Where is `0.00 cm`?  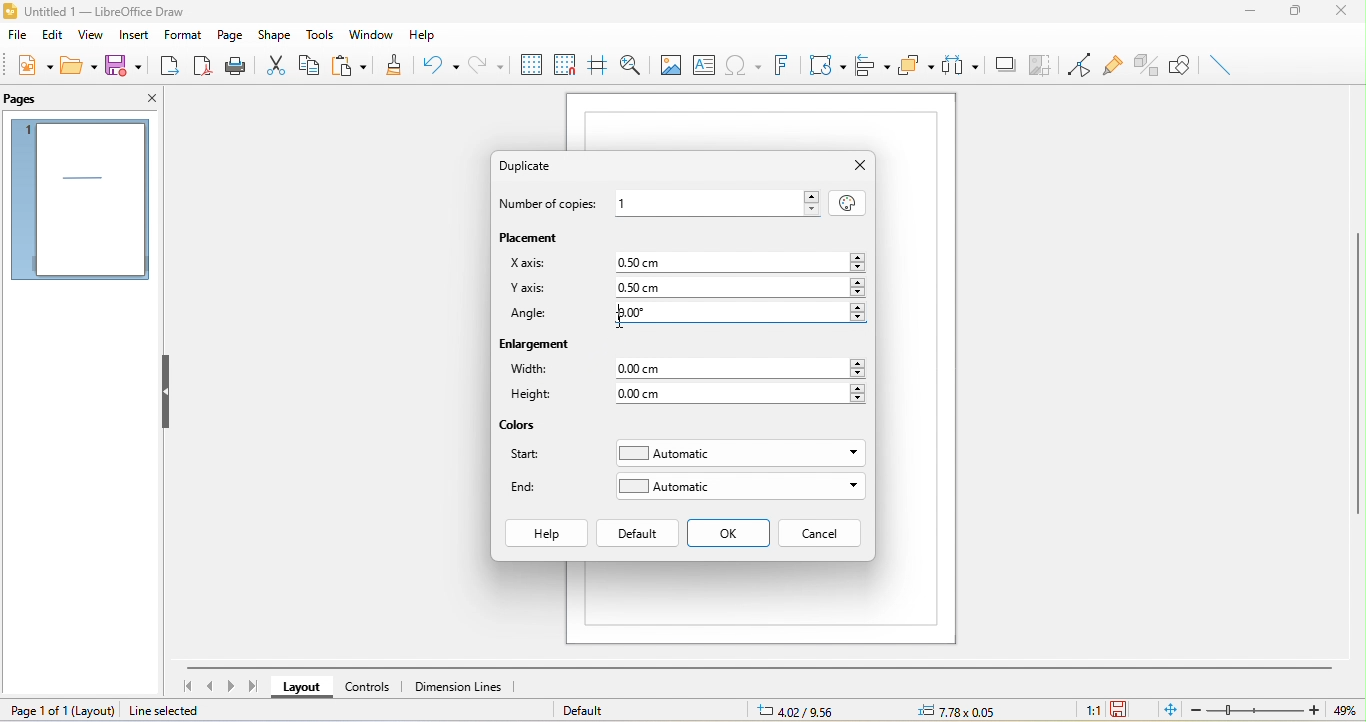
0.00 cm is located at coordinates (743, 368).